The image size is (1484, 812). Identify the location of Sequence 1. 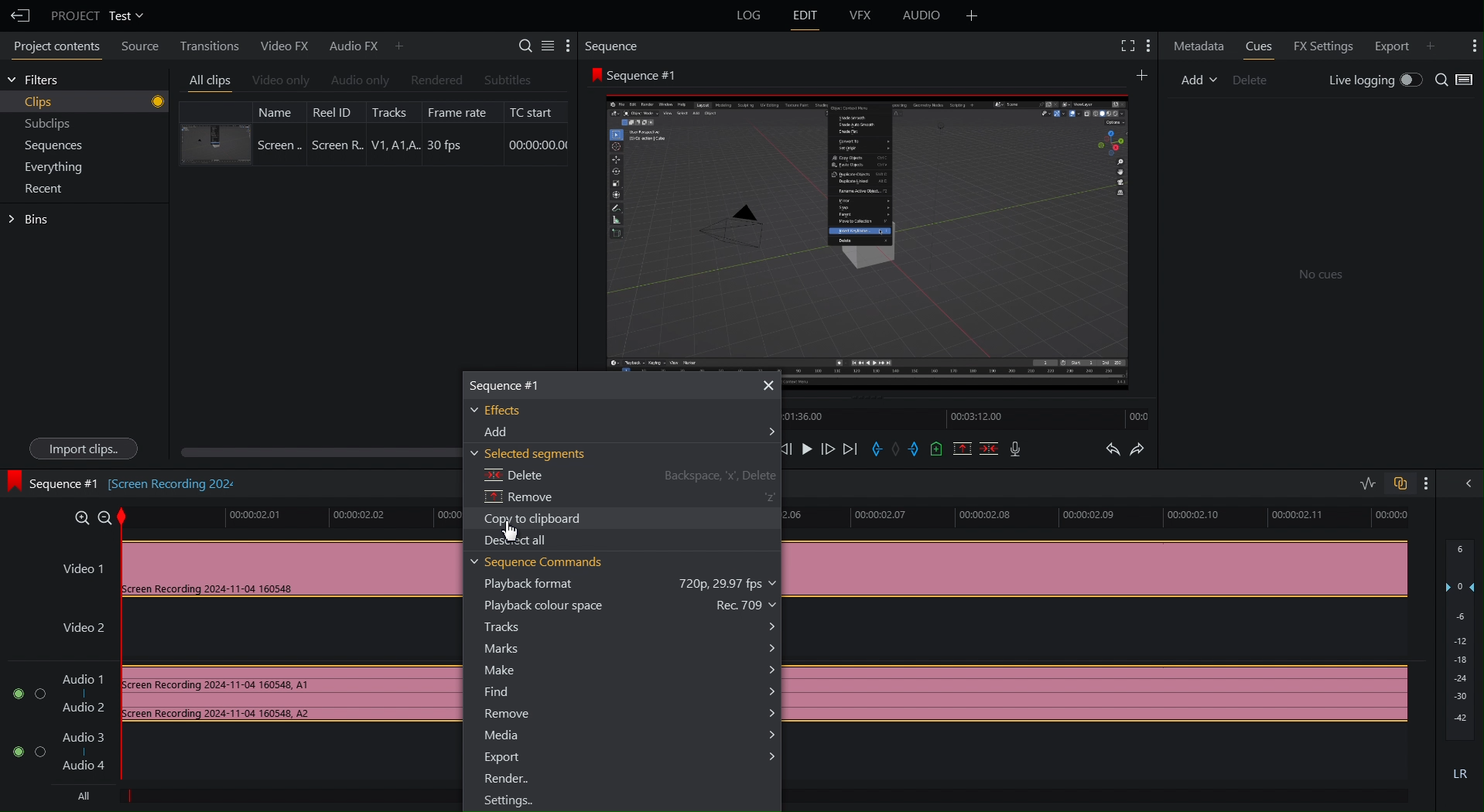
(523, 386).